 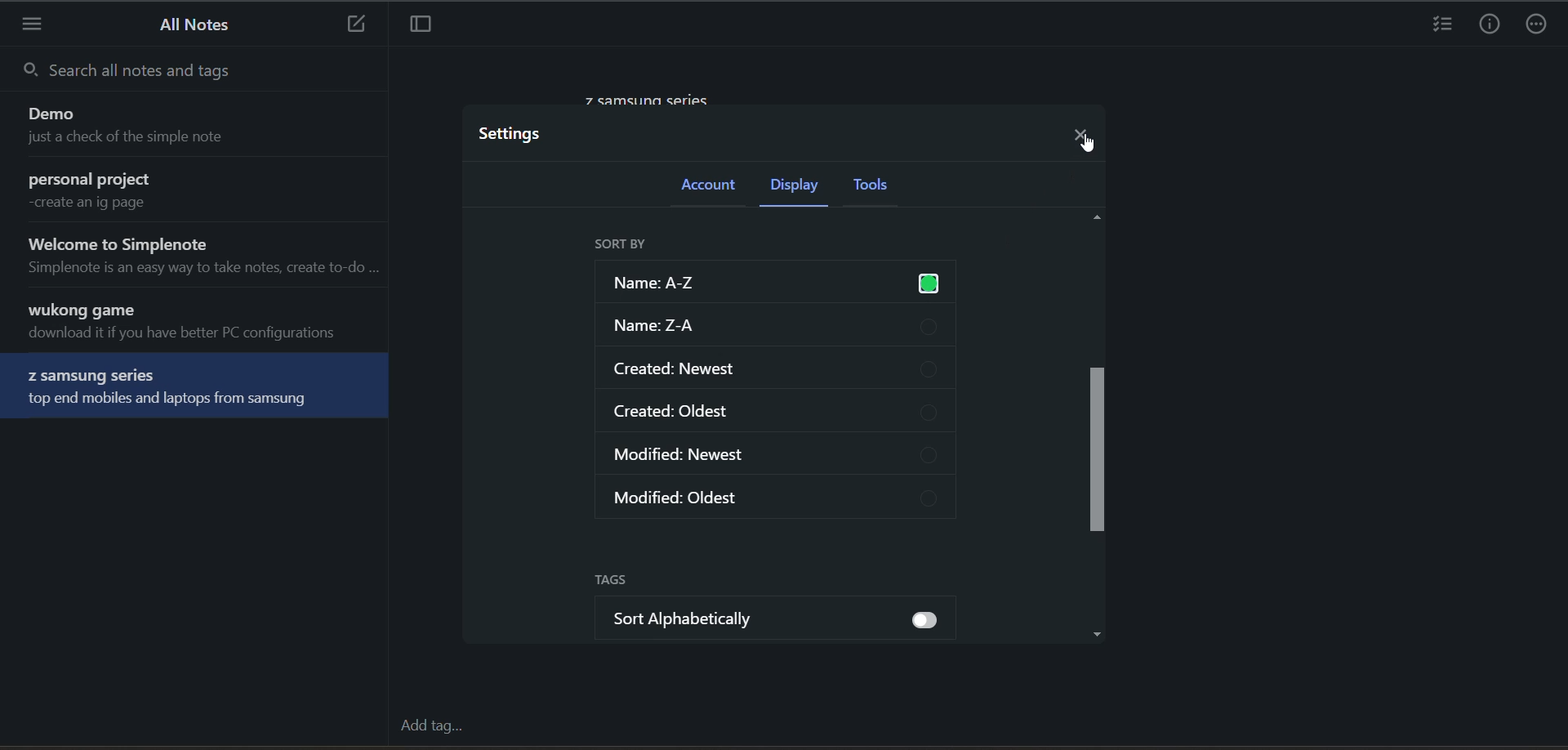 What do you see at coordinates (780, 328) in the screenshot?
I see `name: Z-A` at bounding box center [780, 328].